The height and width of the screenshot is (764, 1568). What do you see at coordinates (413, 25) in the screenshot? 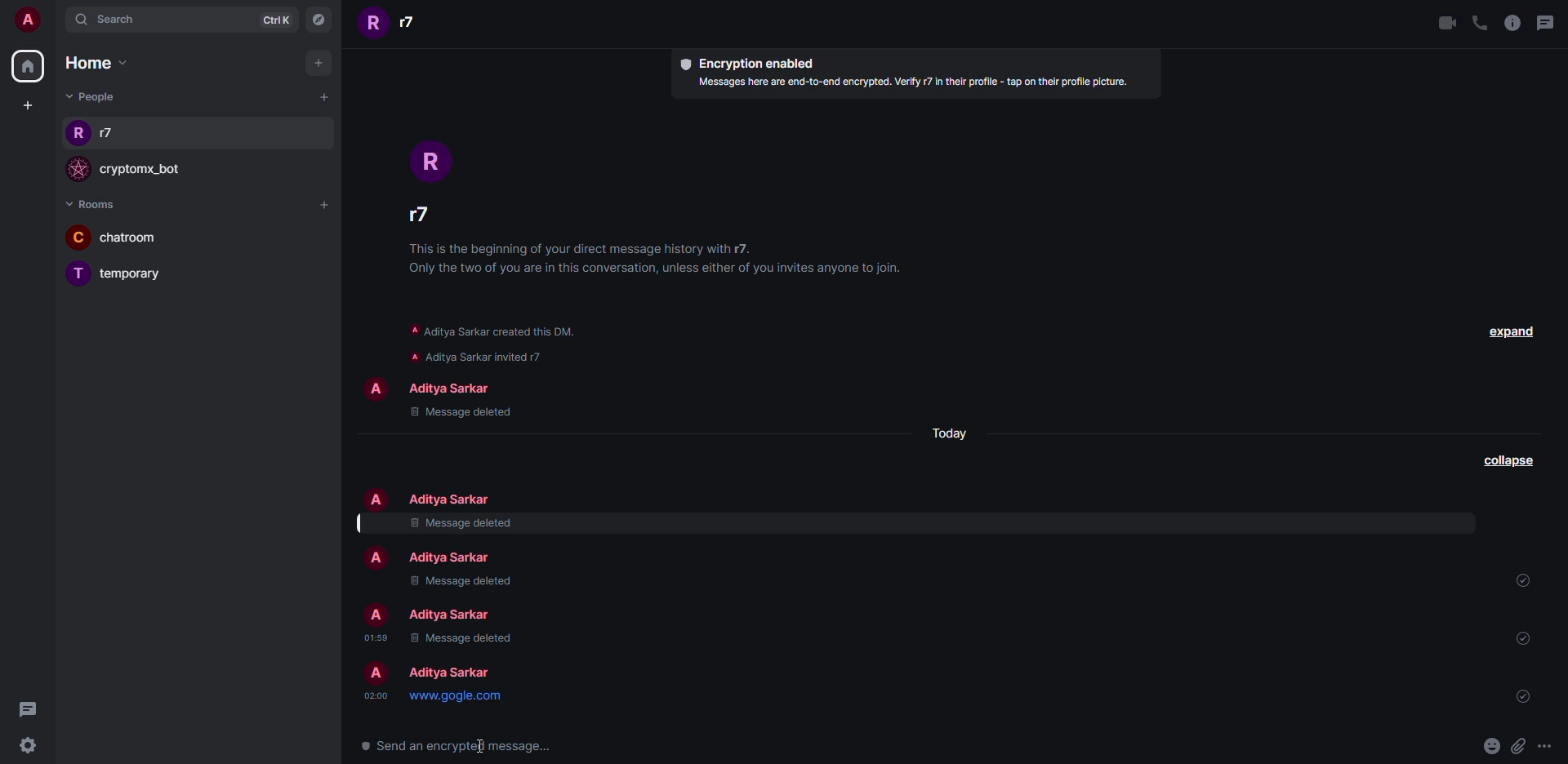
I see `people` at bounding box center [413, 25].